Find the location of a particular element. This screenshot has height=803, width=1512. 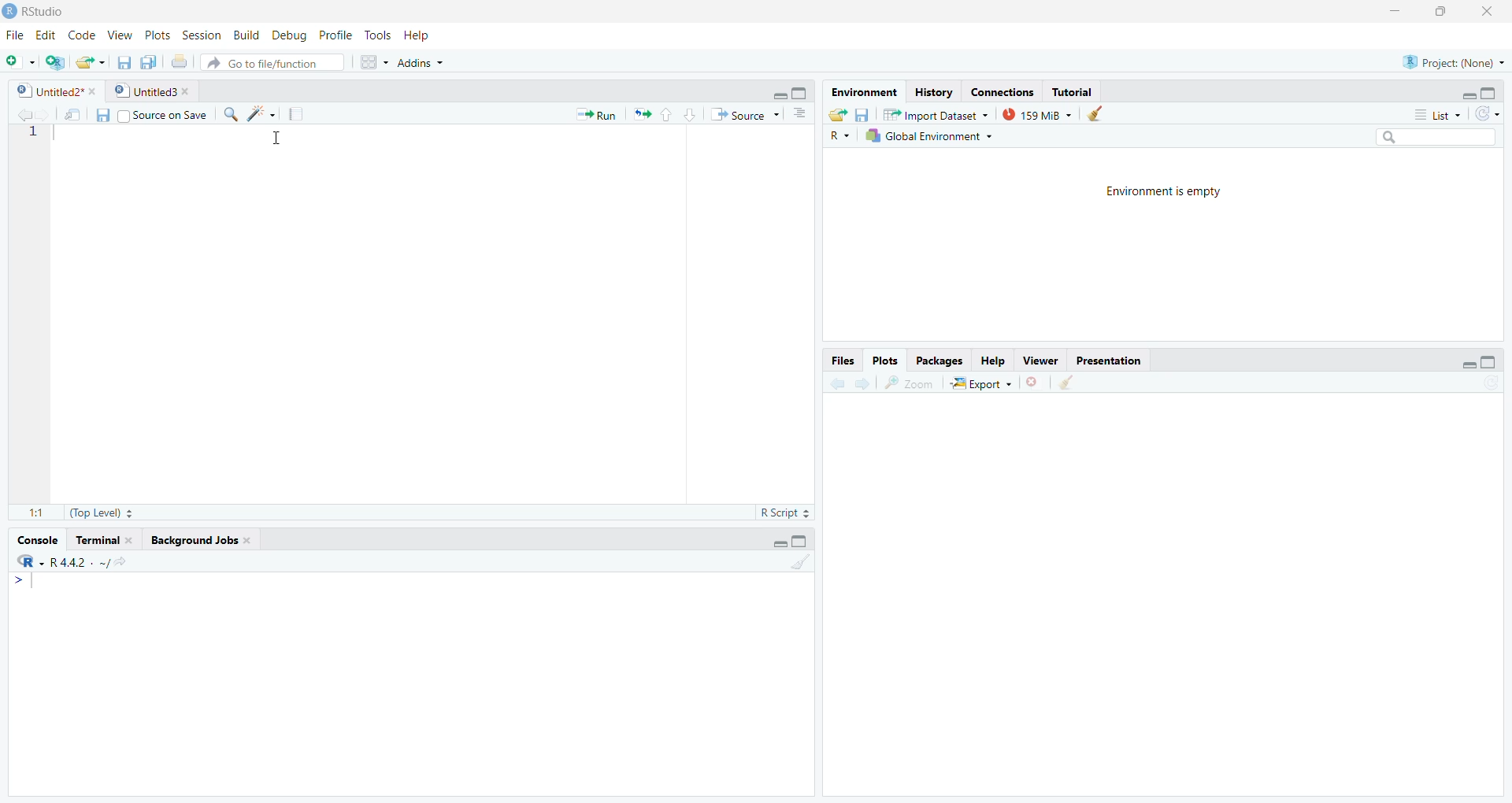

previous is located at coordinates (836, 385).